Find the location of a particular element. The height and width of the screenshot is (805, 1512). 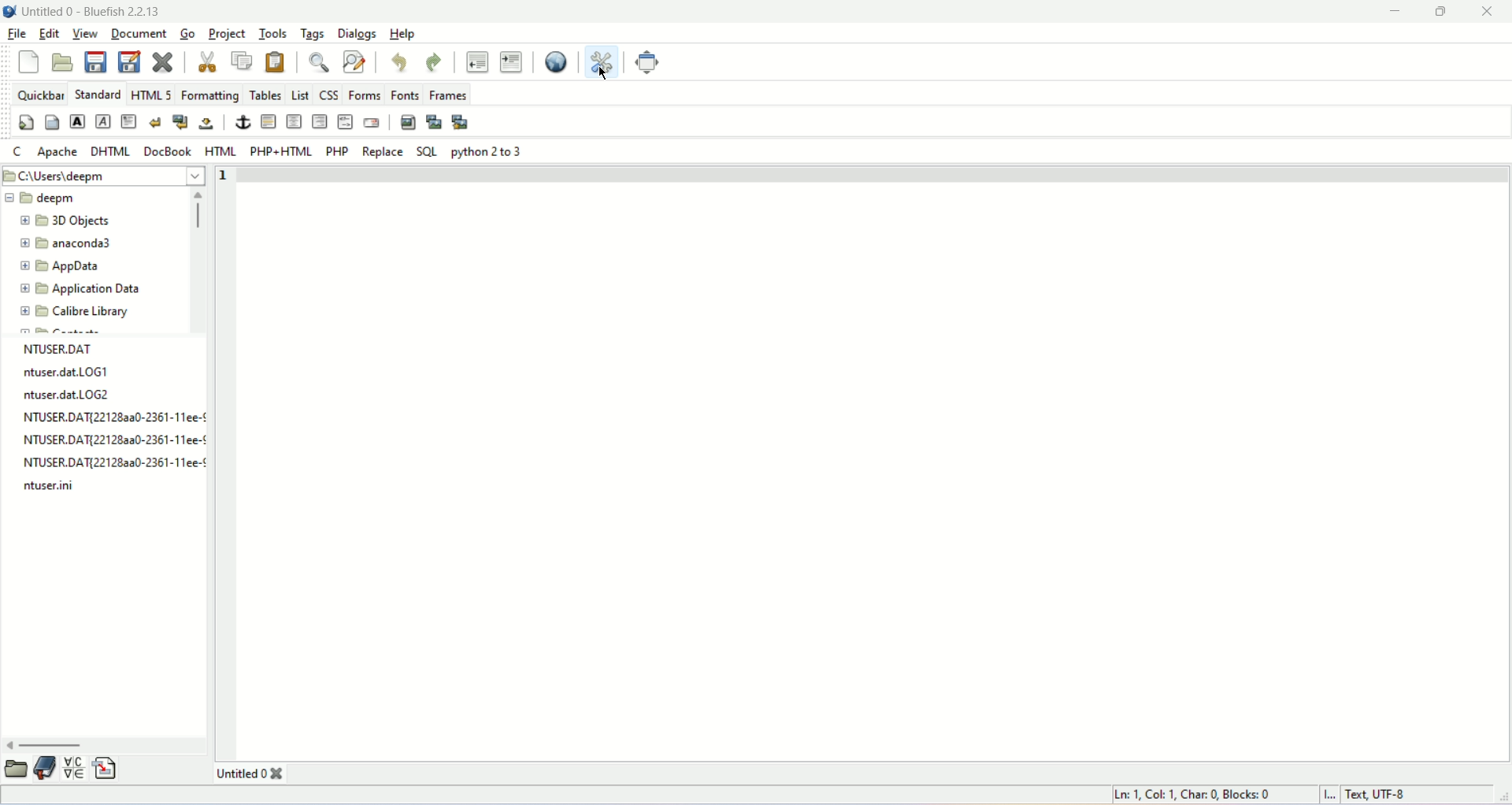

insert image is located at coordinates (407, 121).